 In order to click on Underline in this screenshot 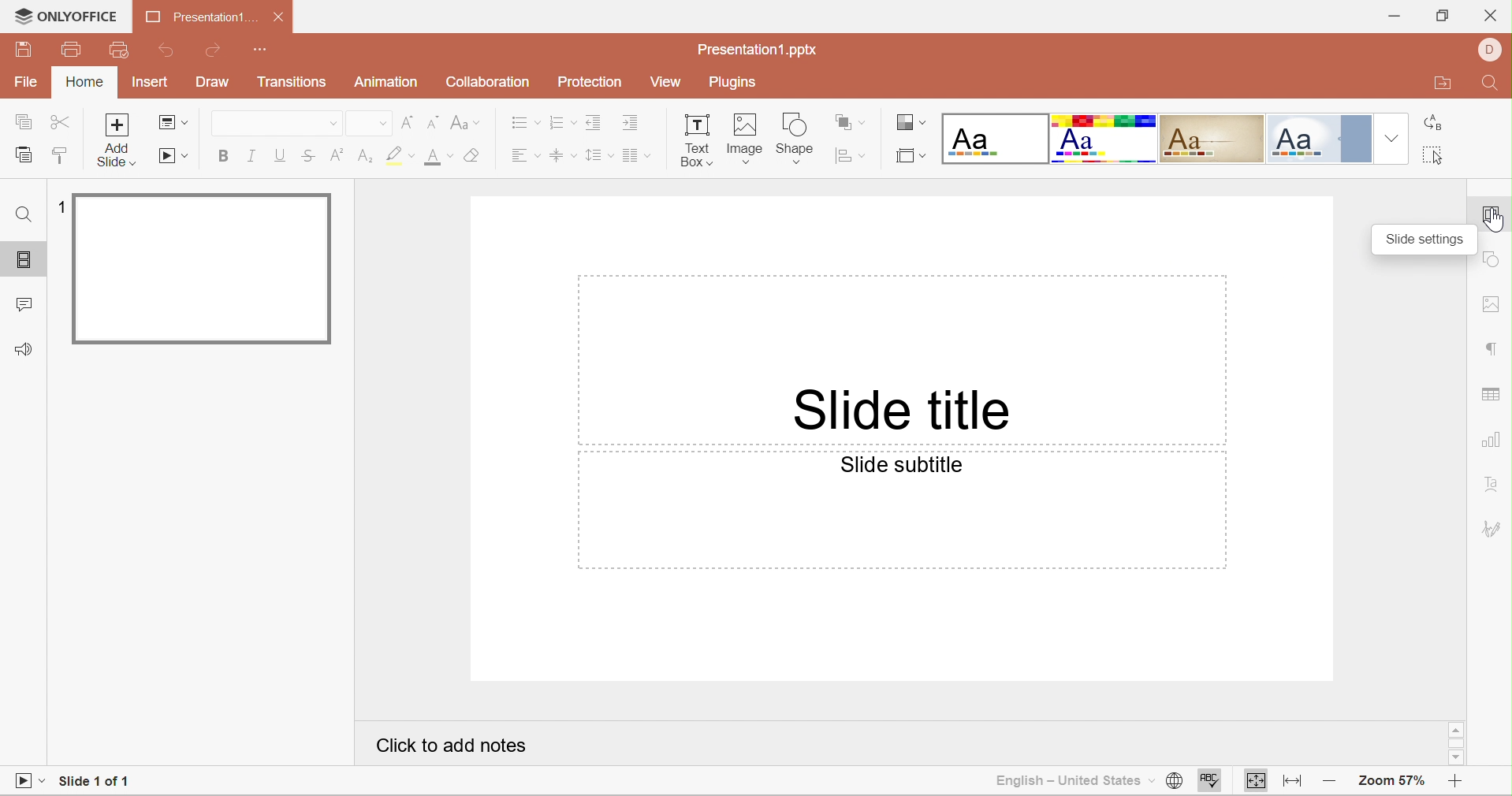, I will do `click(278, 154)`.